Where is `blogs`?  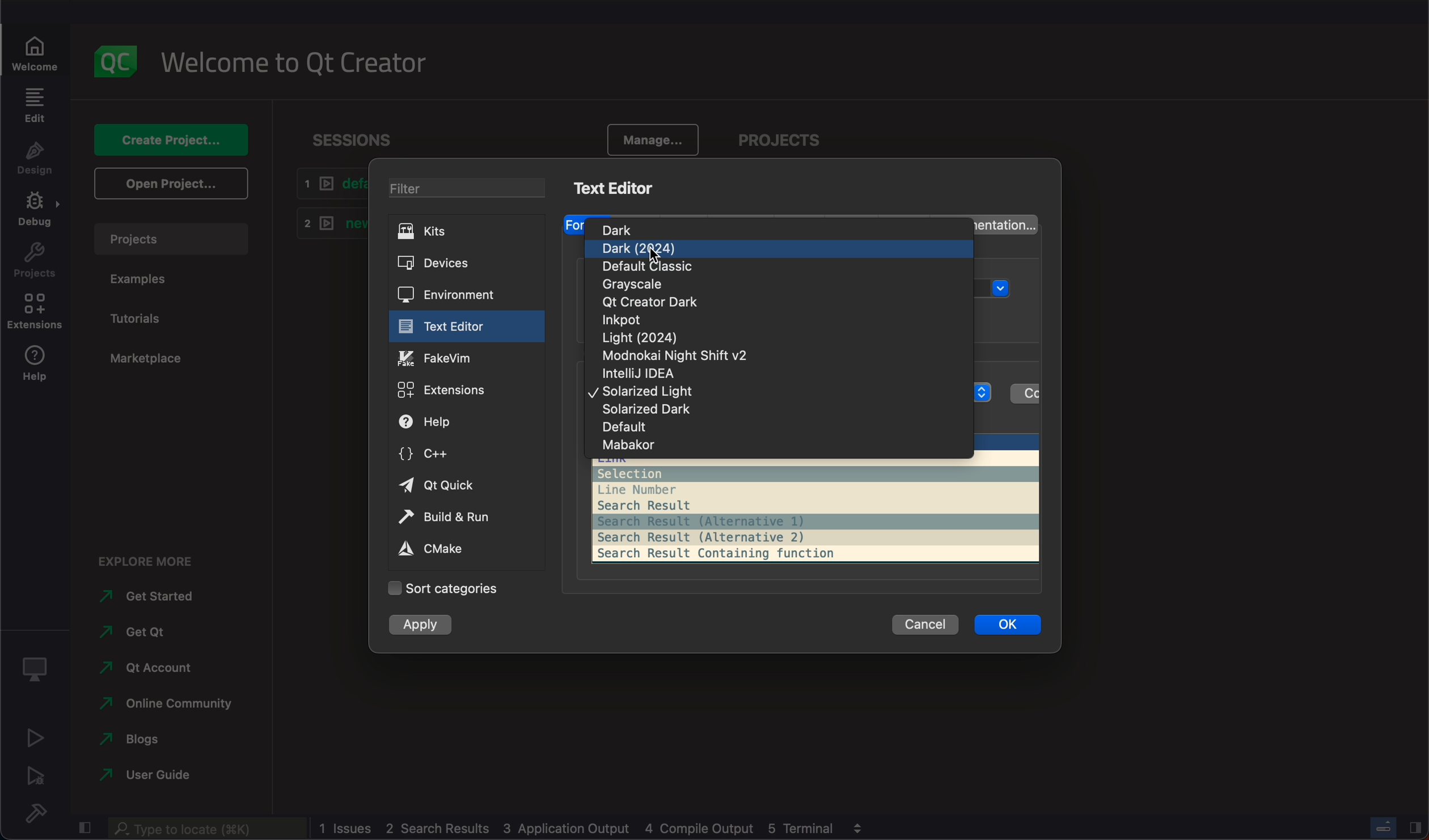 blogs is located at coordinates (130, 740).